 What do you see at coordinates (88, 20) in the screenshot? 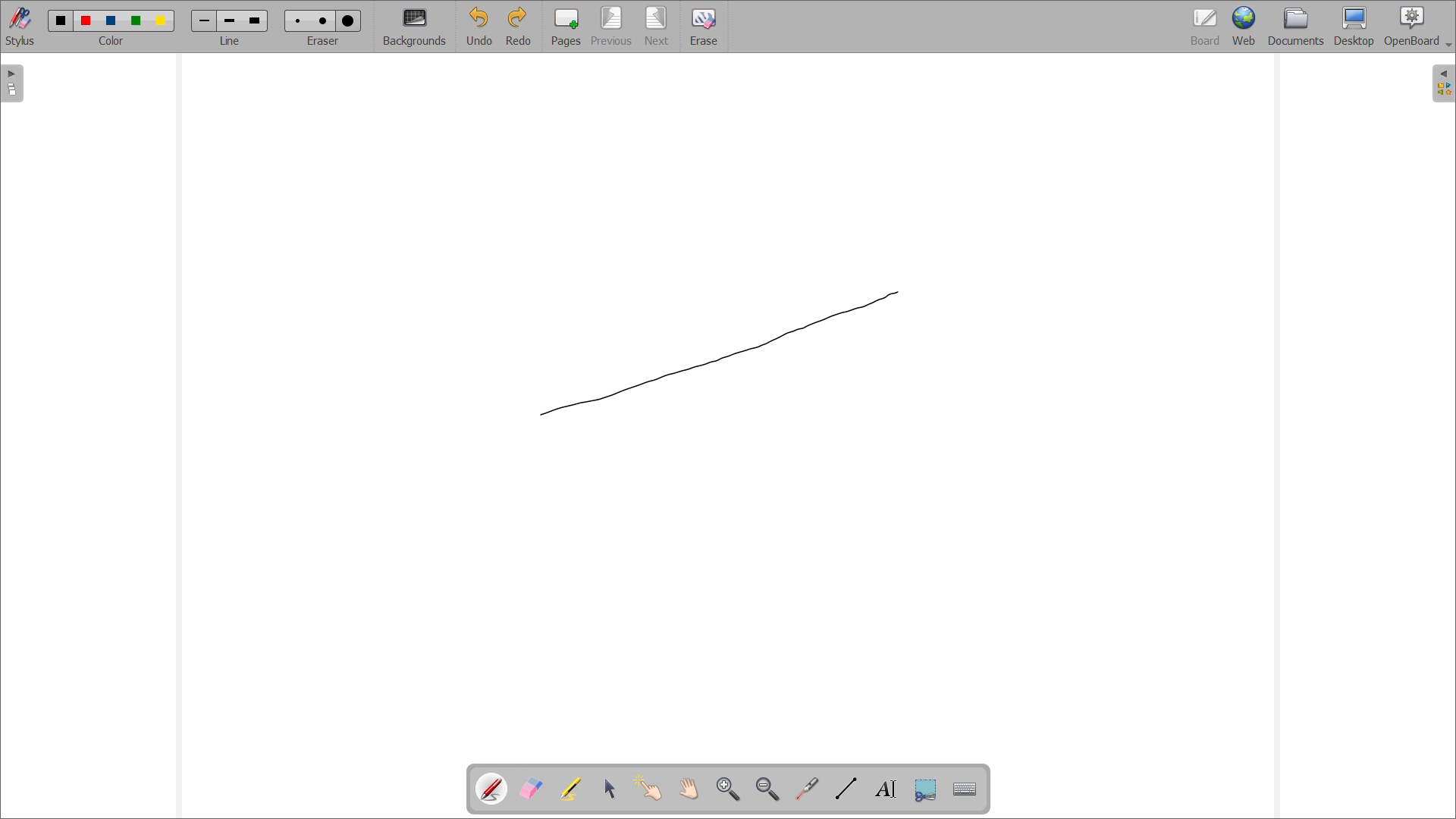
I see `color` at bounding box center [88, 20].